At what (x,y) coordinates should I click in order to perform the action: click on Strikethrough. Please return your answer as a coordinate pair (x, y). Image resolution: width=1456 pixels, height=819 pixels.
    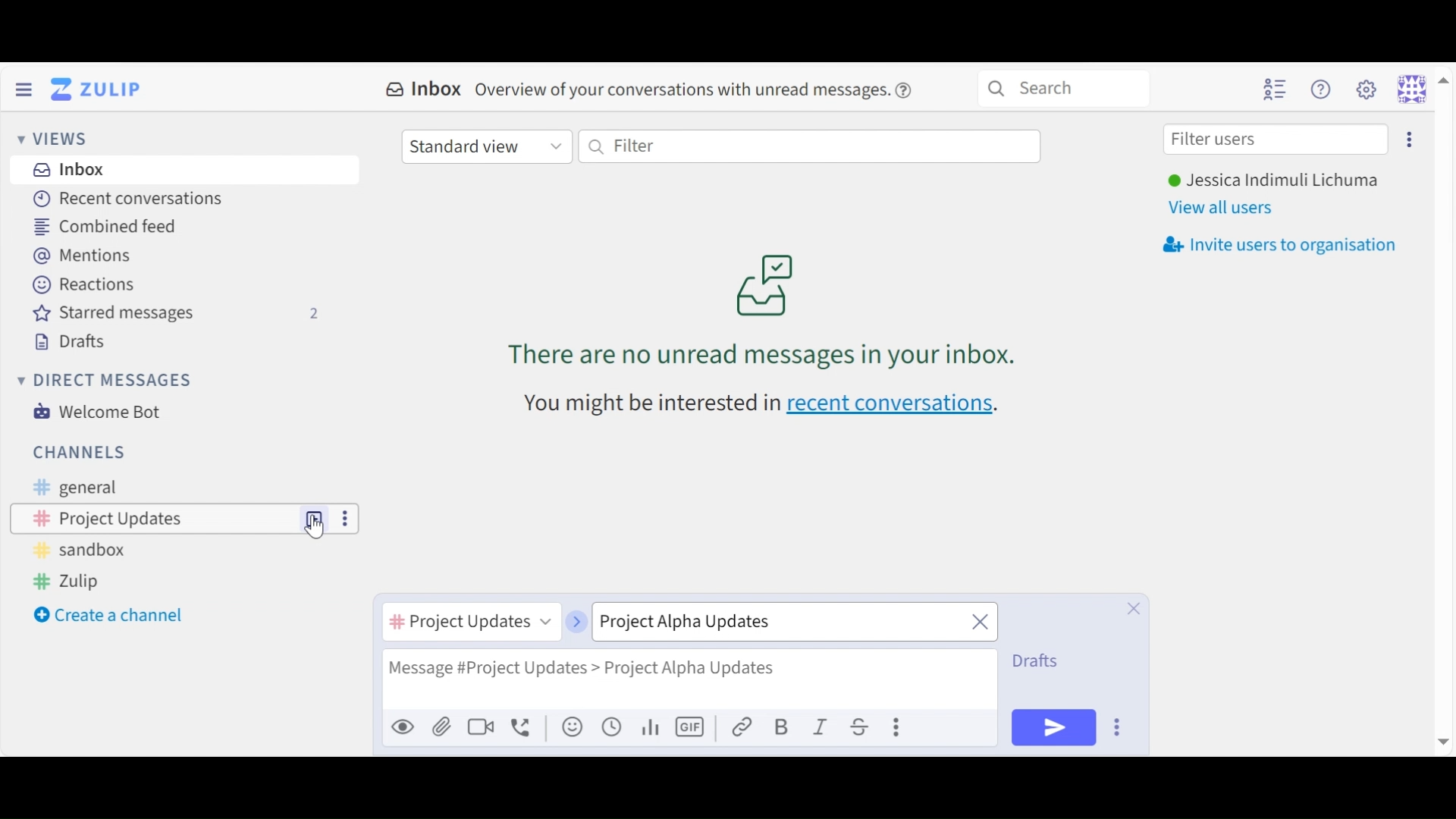
    Looking at the image, I should click on (862, 726).